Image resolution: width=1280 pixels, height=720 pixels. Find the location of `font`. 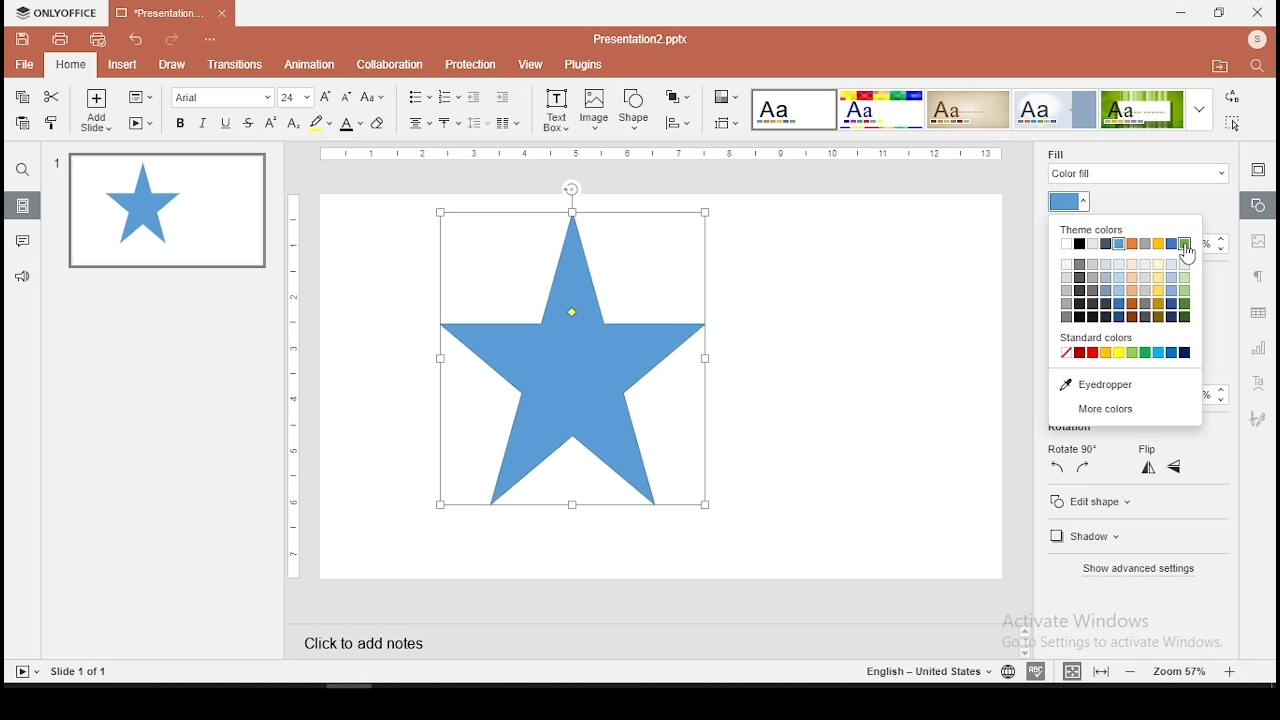

font is located at coordinates (222, 97).